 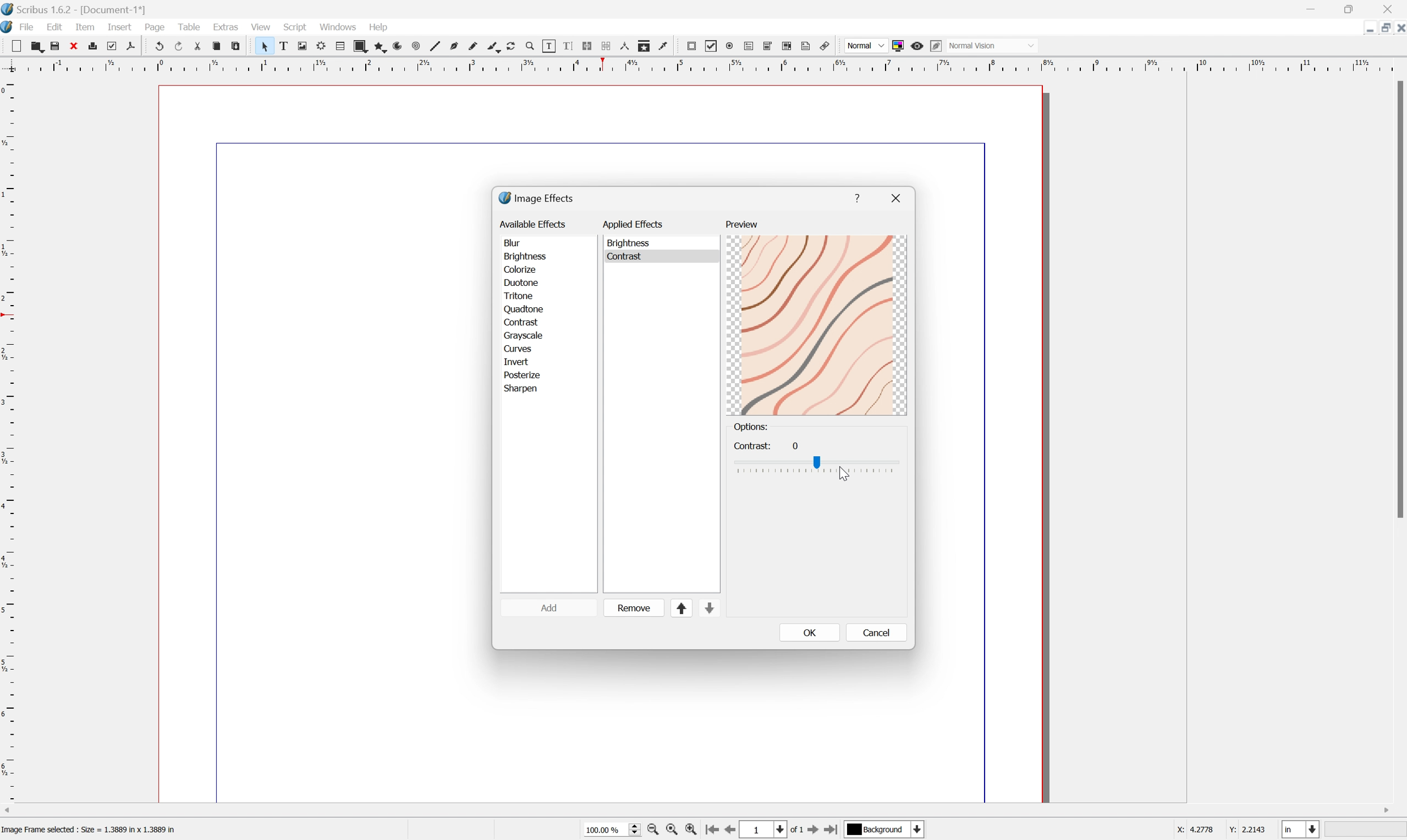 I want to click on tritone, so click(x=521, y=294).